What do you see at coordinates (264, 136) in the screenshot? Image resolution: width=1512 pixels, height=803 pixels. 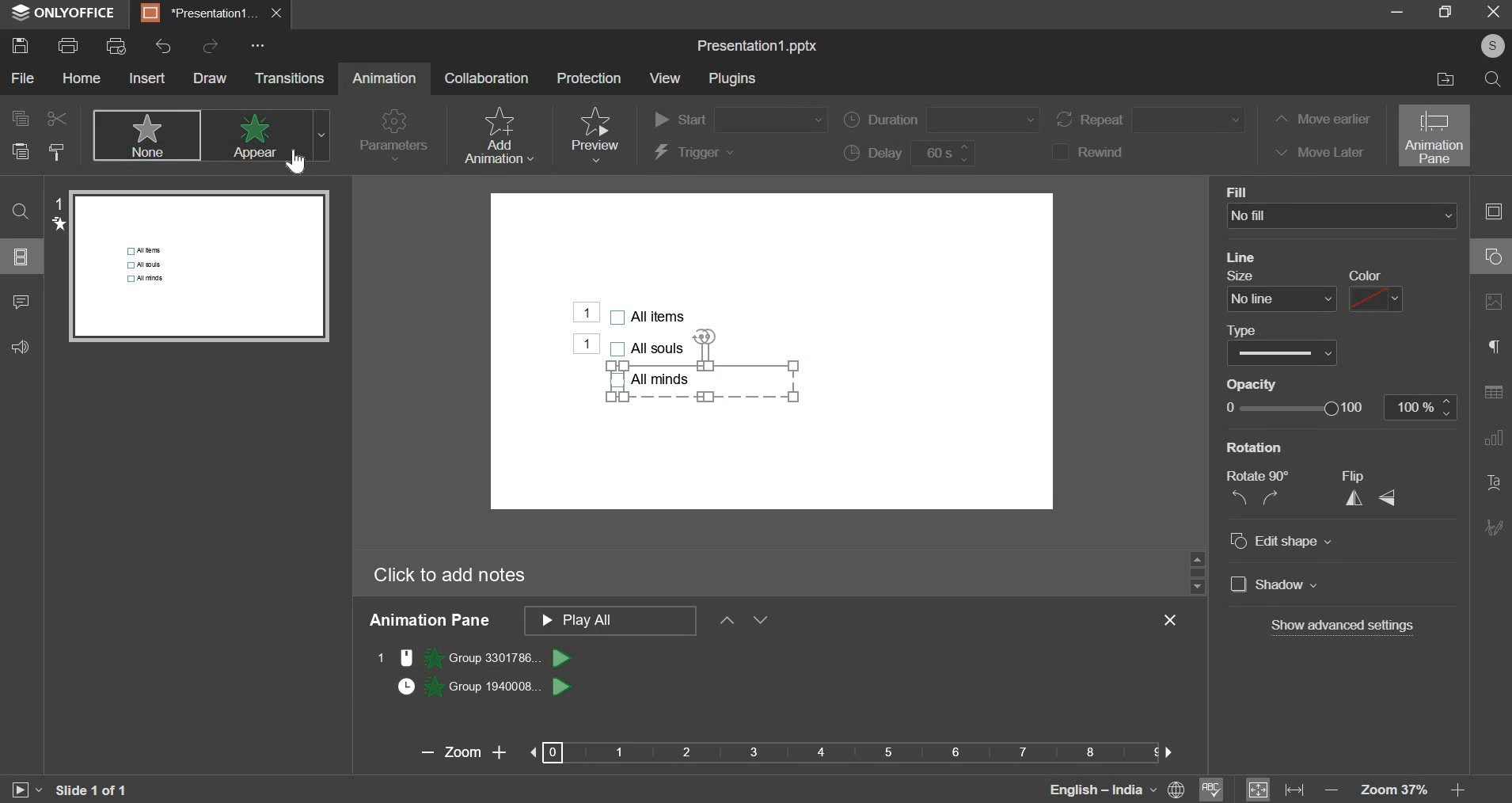 I see `appear` at bounding box center [264, 136].